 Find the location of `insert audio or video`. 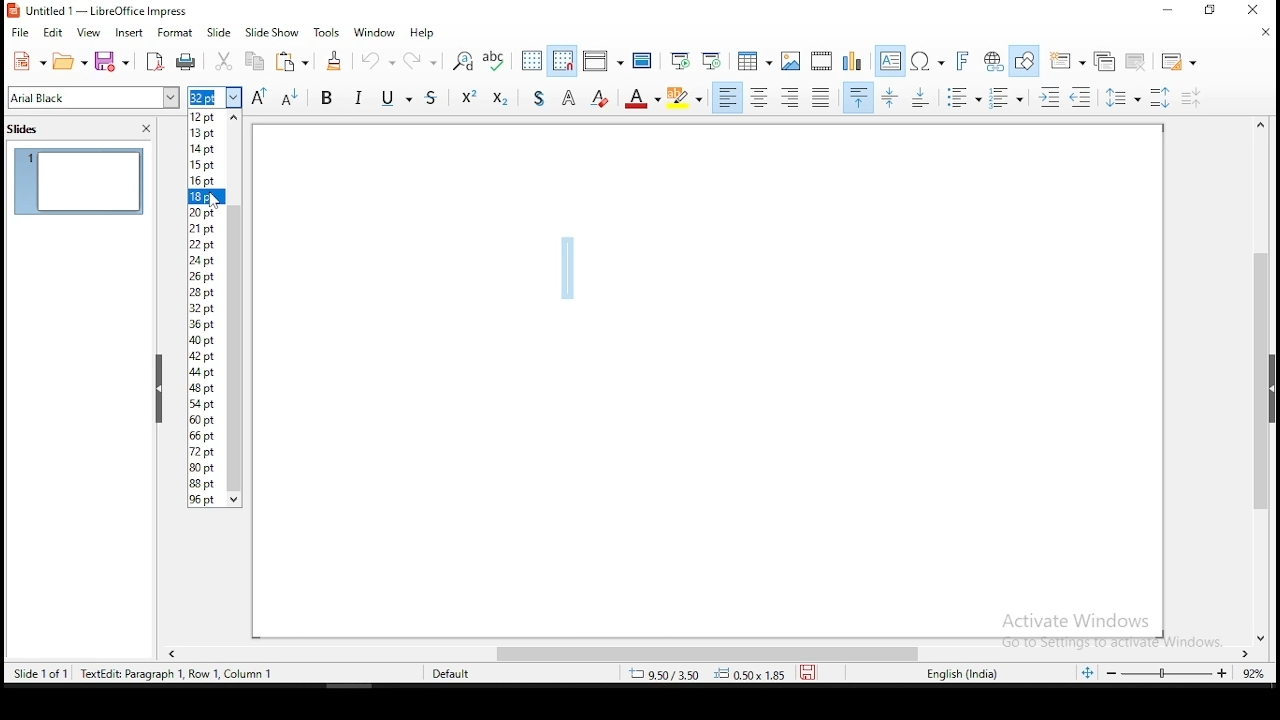

insert audio or video is located at coordinates (823, 59).